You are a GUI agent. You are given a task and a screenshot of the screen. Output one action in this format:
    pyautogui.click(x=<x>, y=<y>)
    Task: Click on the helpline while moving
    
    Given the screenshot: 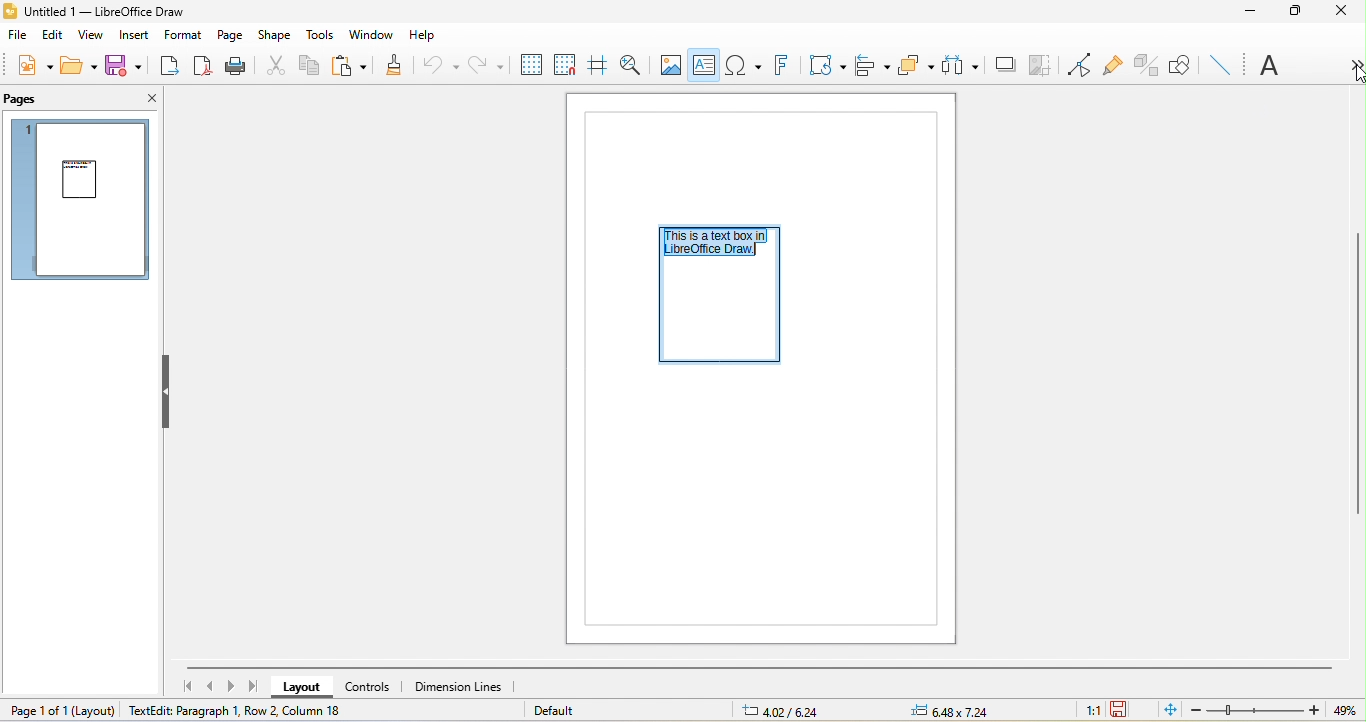 What is the action you would take?
    pyautogui.click(x=596, y=65)
    